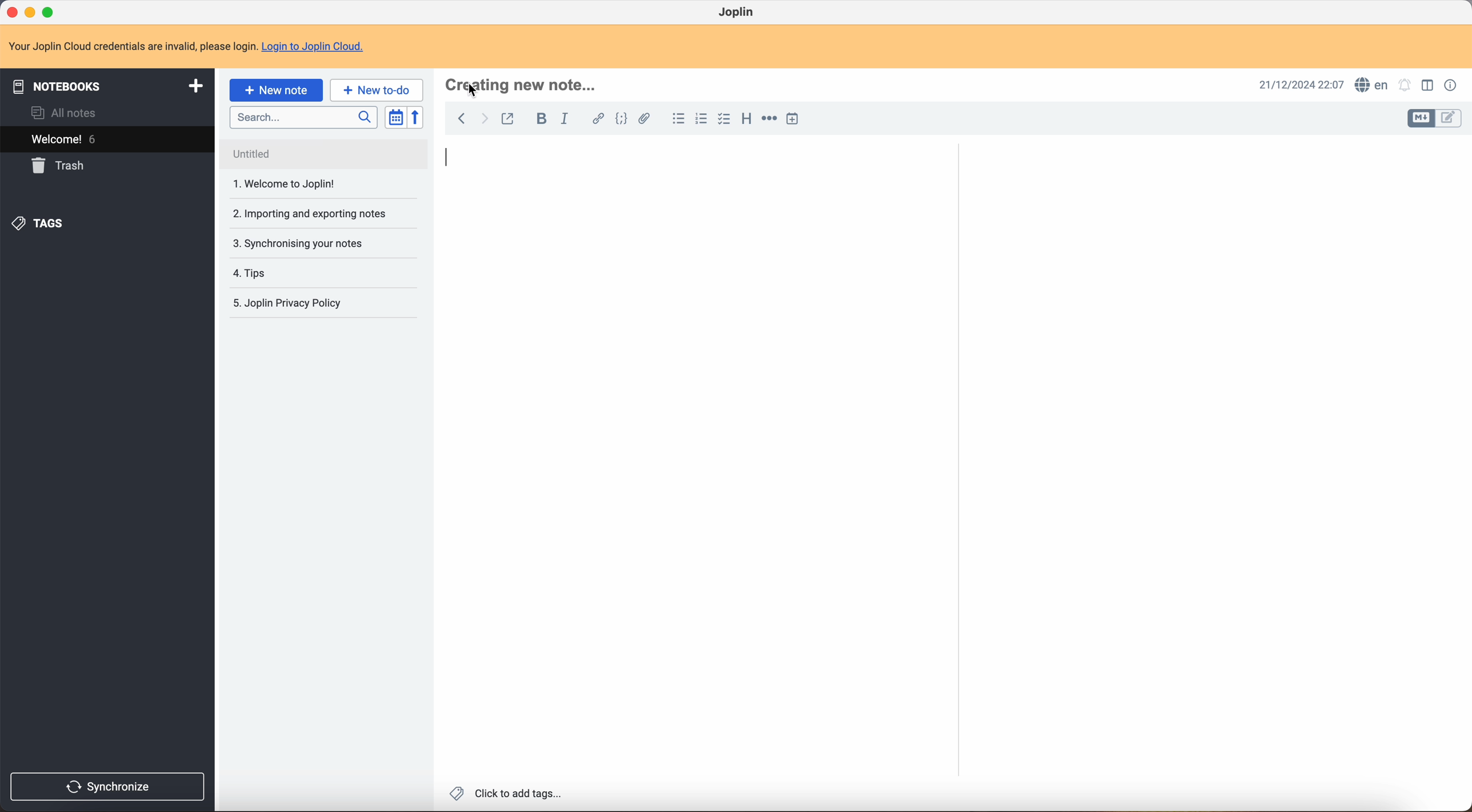  I want to click on type, so click(450, 157).